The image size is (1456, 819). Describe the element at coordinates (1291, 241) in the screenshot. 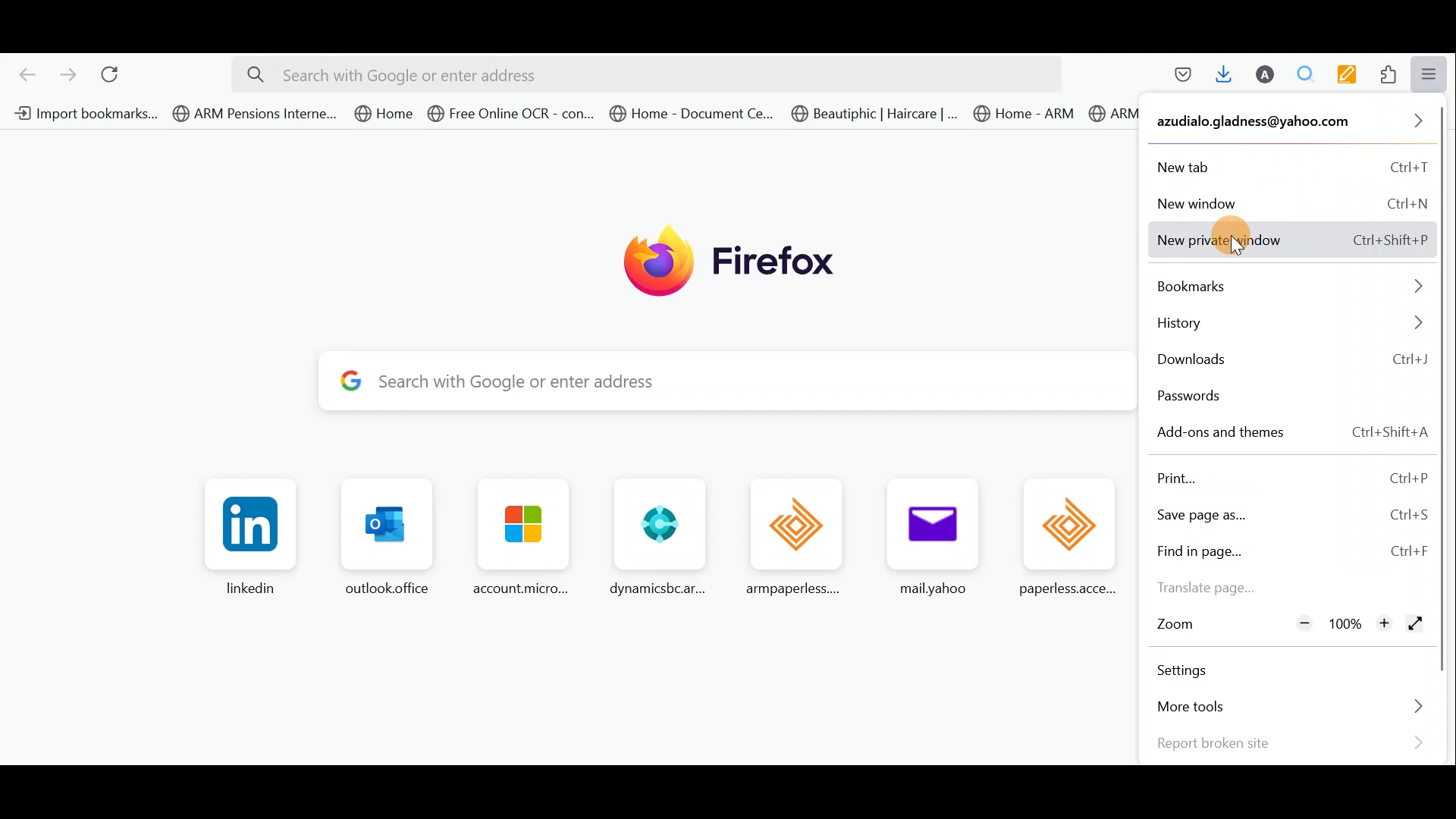

I see `New private window` at that location.